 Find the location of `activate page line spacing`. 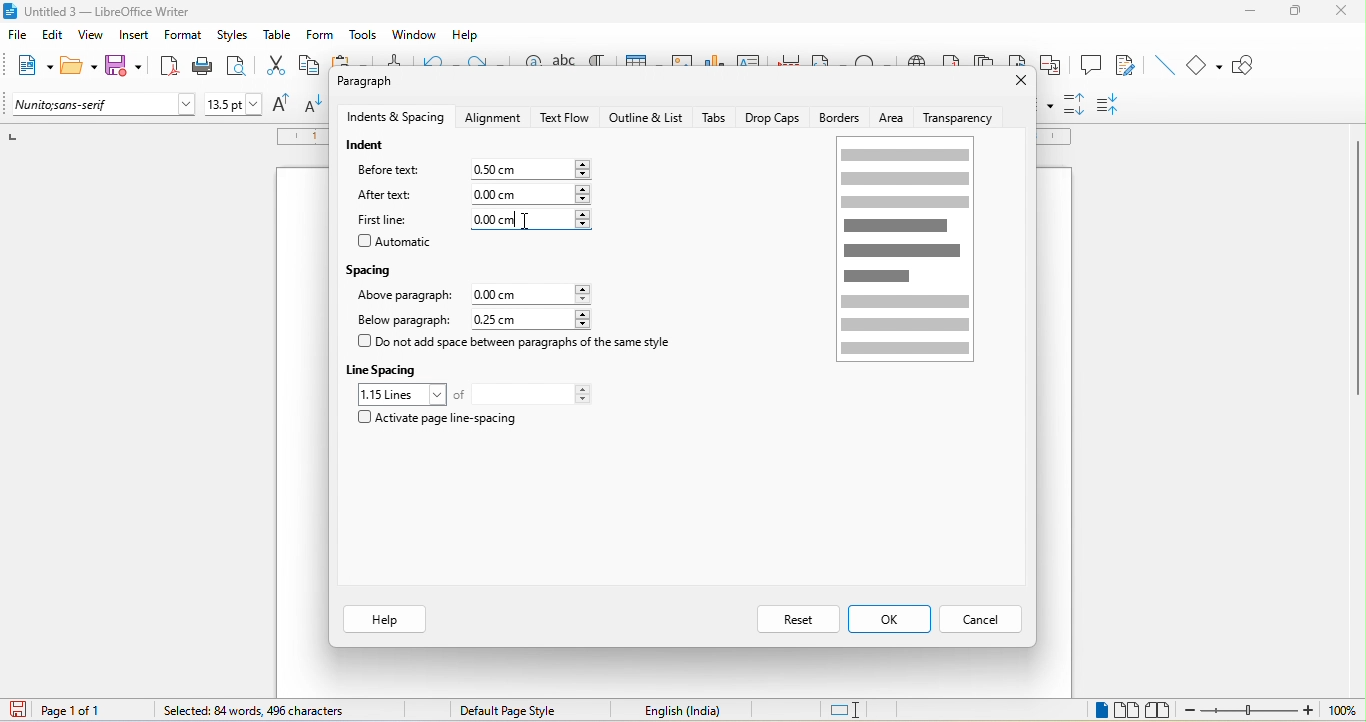

activate page line spacing is located at coordinates (450, 420).